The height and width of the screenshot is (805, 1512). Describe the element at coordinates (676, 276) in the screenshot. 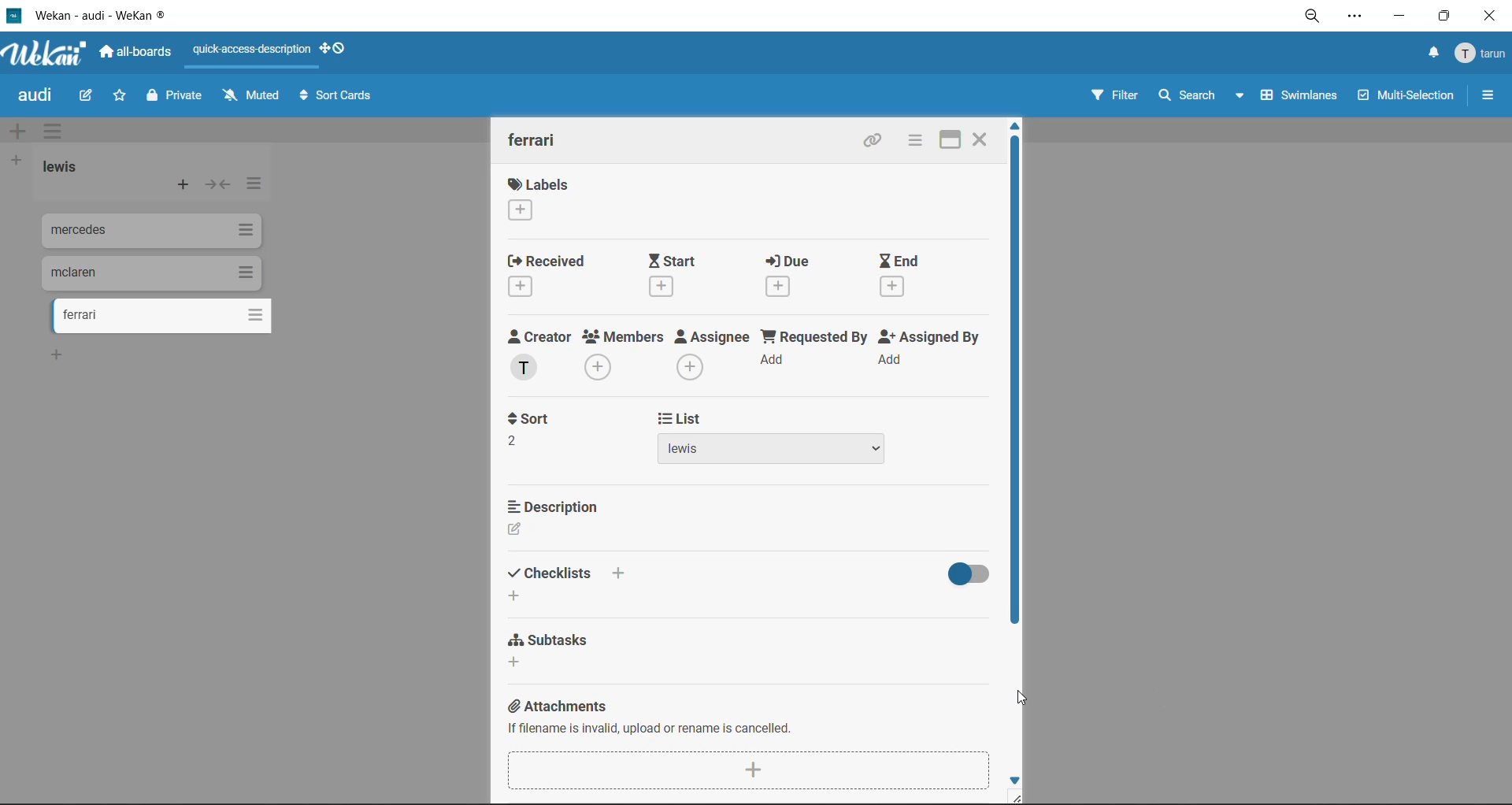

I see `start` at that location.